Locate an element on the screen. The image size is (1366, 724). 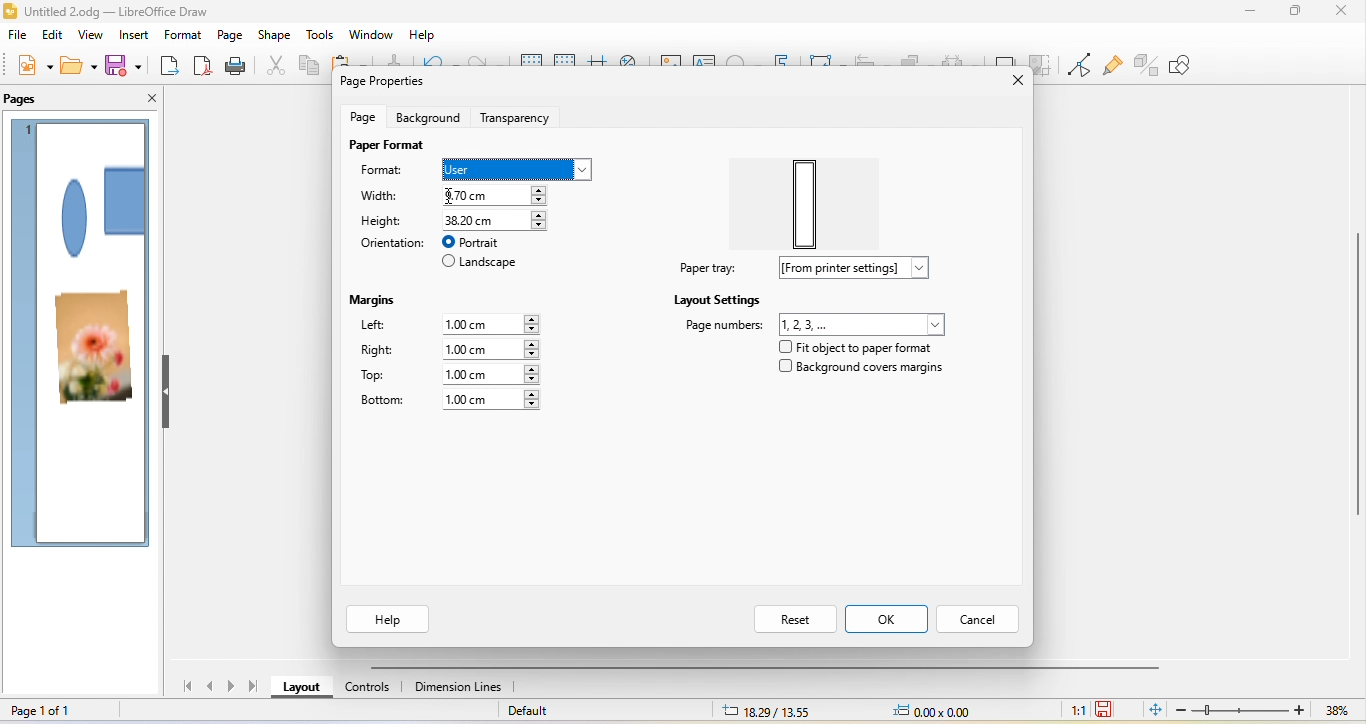
format is located at coordinates (385, 168).